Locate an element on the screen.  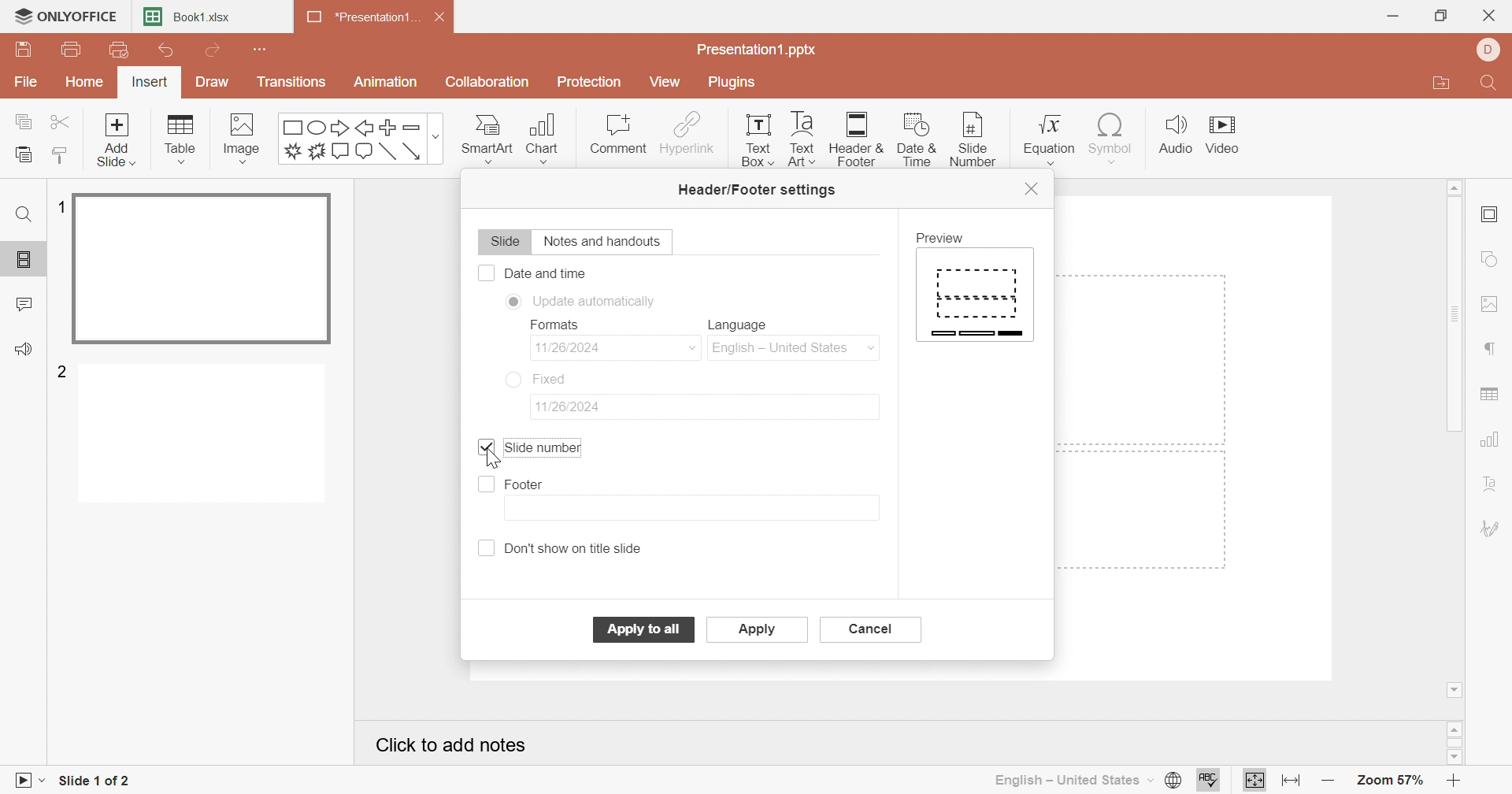
Preview is located at coordinates (944, 238).